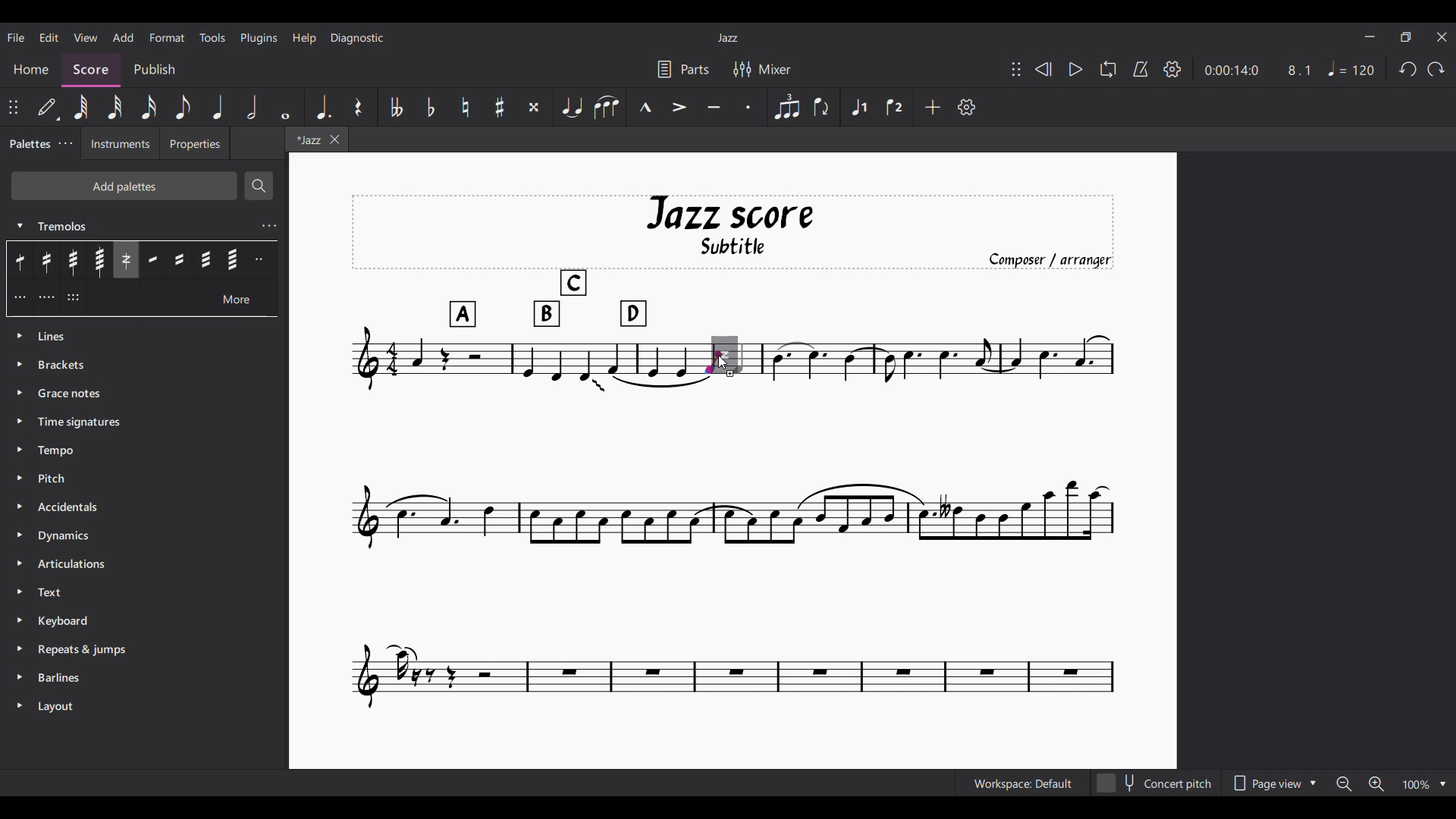 The height and width of the screenshot is (819, 1456). Describe the element at coordinates (259, 186) in the screenshot. I see `Search` at that location.